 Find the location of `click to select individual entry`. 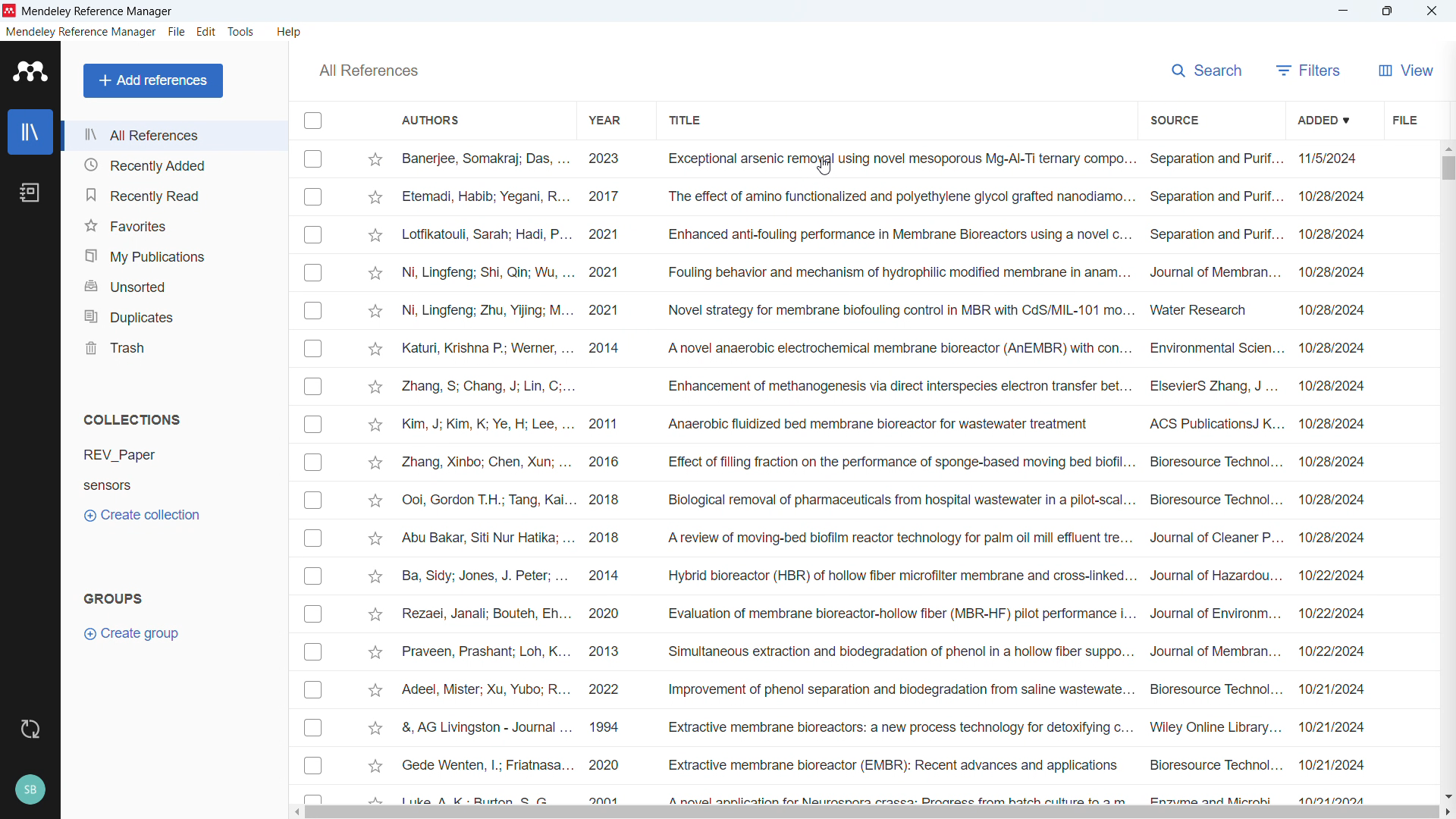

click to select individual entry is located at coordinates (315, 197).